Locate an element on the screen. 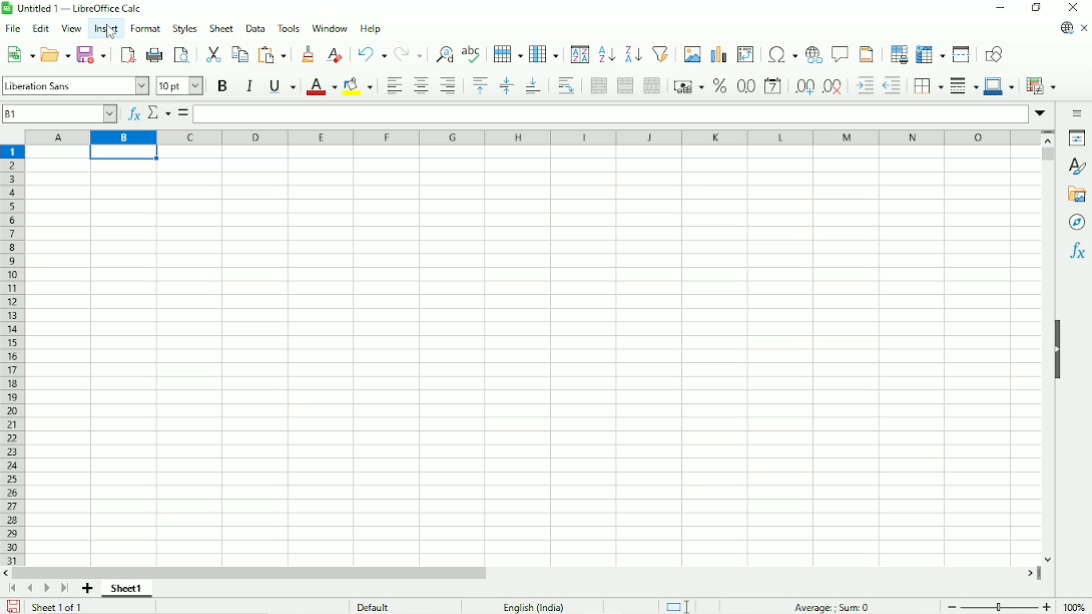 This screenshot has height=614, width=1092. Sort ascending is located at coordinates (606, 54).